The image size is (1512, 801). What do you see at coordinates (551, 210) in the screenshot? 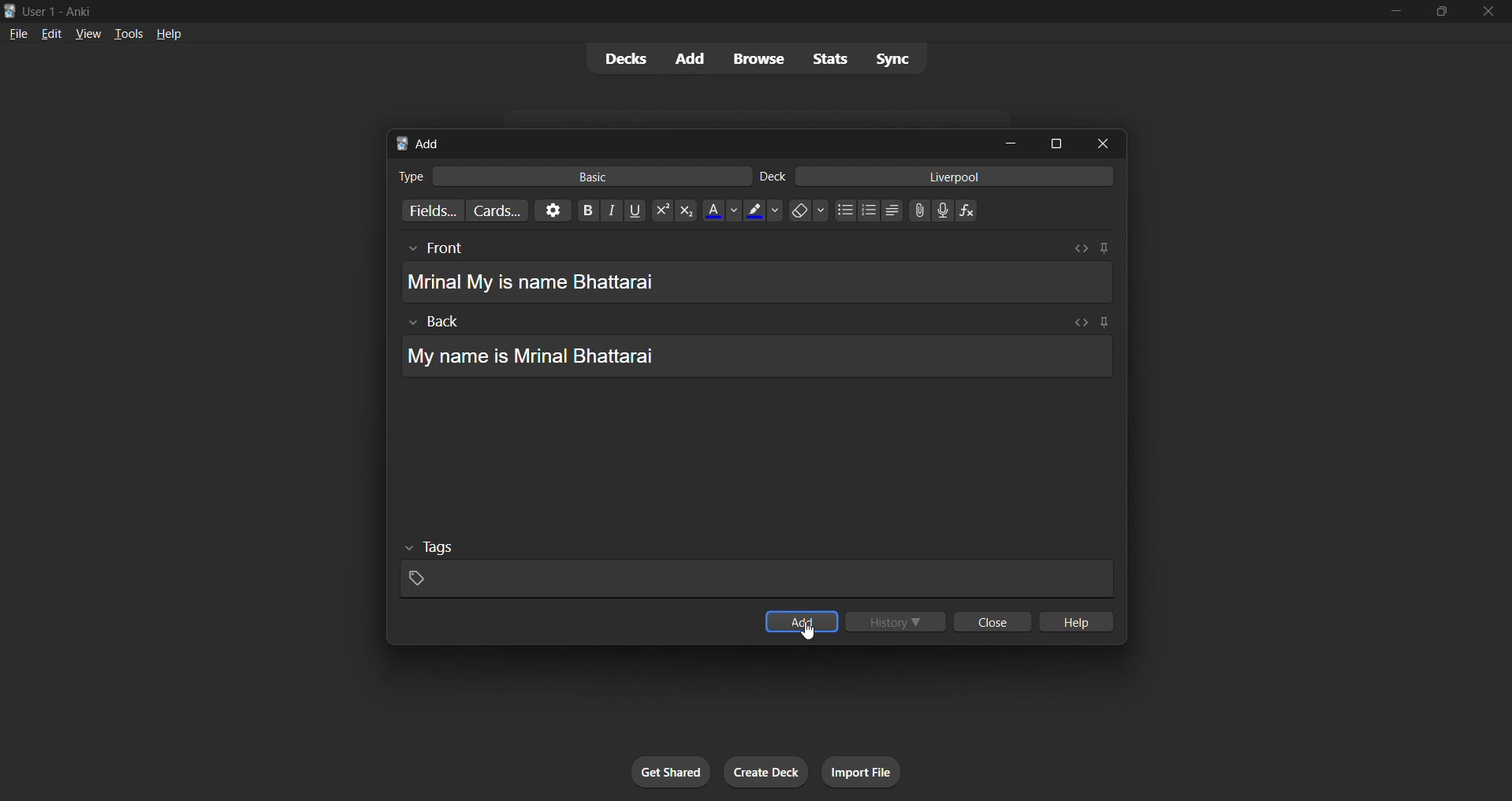
I see `options` at bounding box center [551, 210].